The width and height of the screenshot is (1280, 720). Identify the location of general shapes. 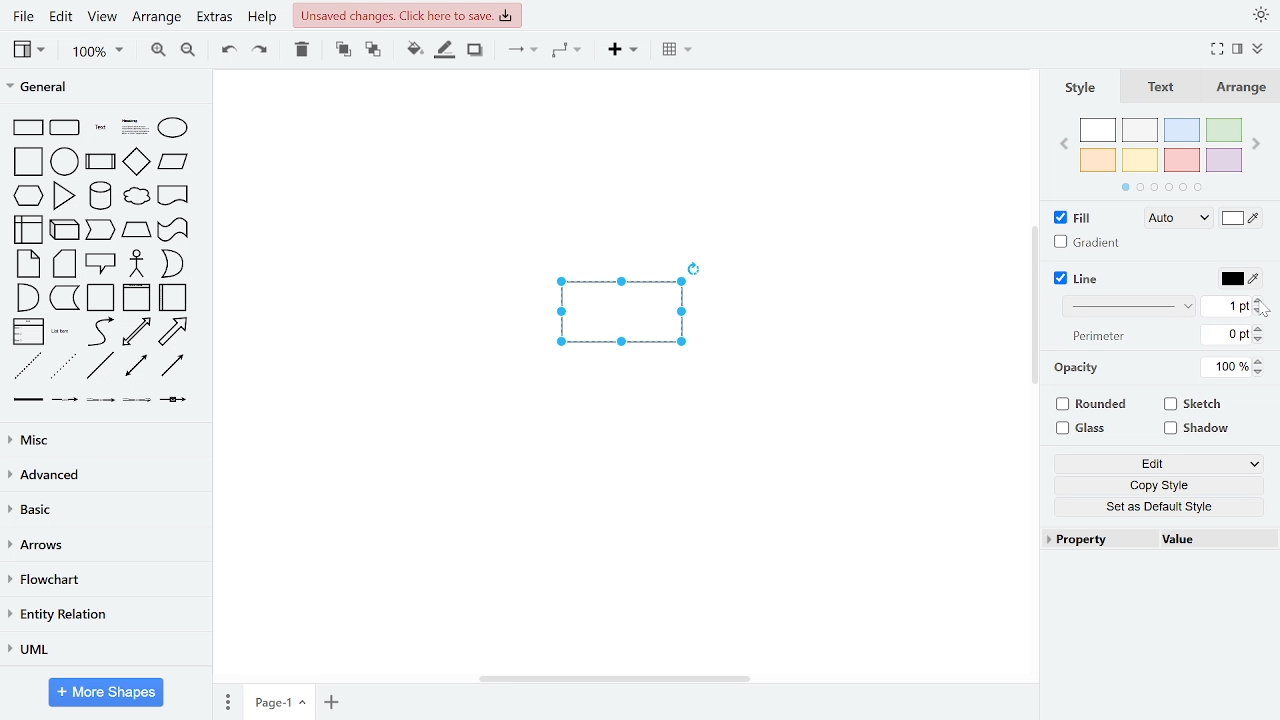
(101, 399).